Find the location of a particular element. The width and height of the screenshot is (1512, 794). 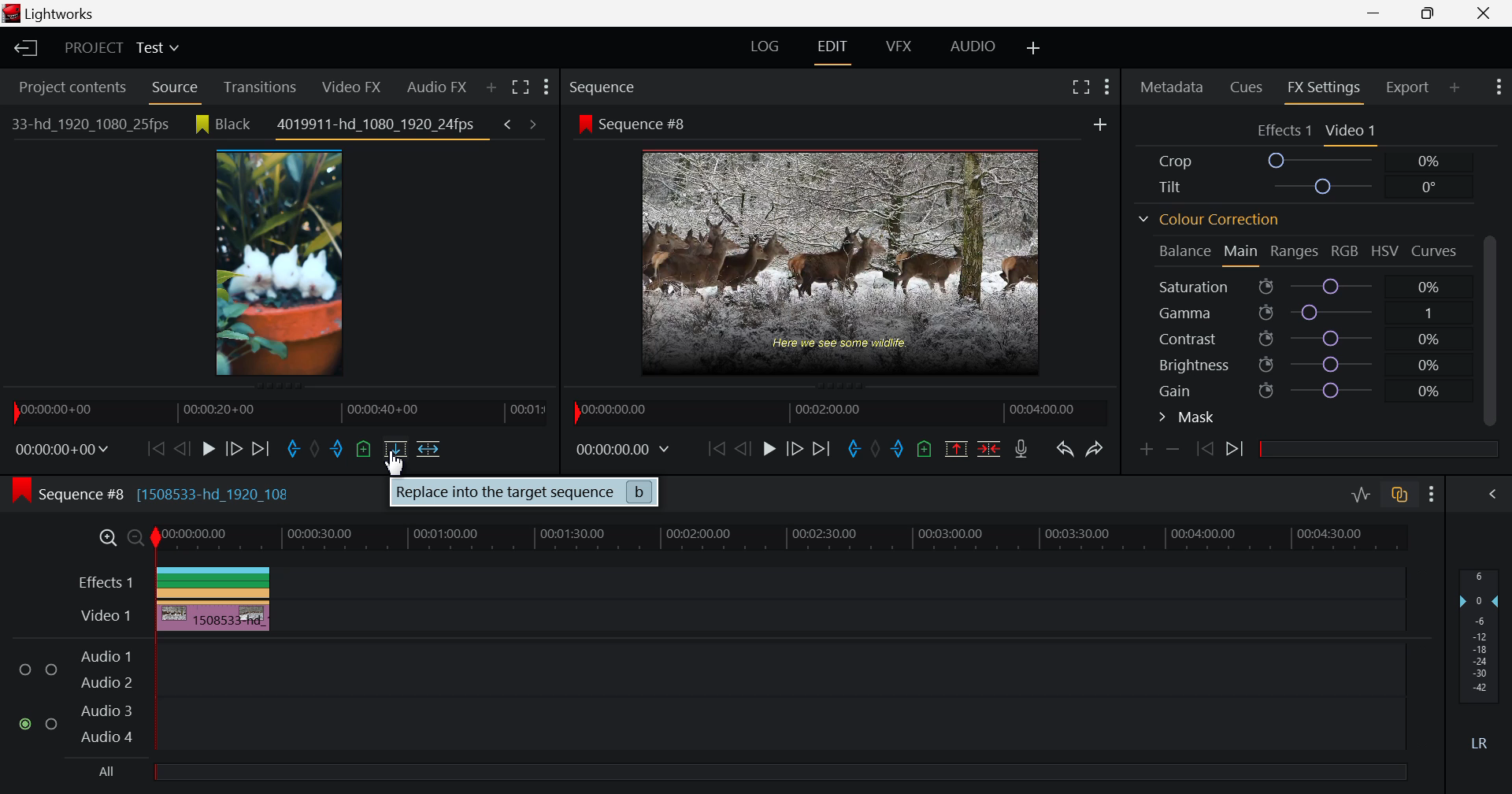

Go Forward is located at coordinates (233, 449).